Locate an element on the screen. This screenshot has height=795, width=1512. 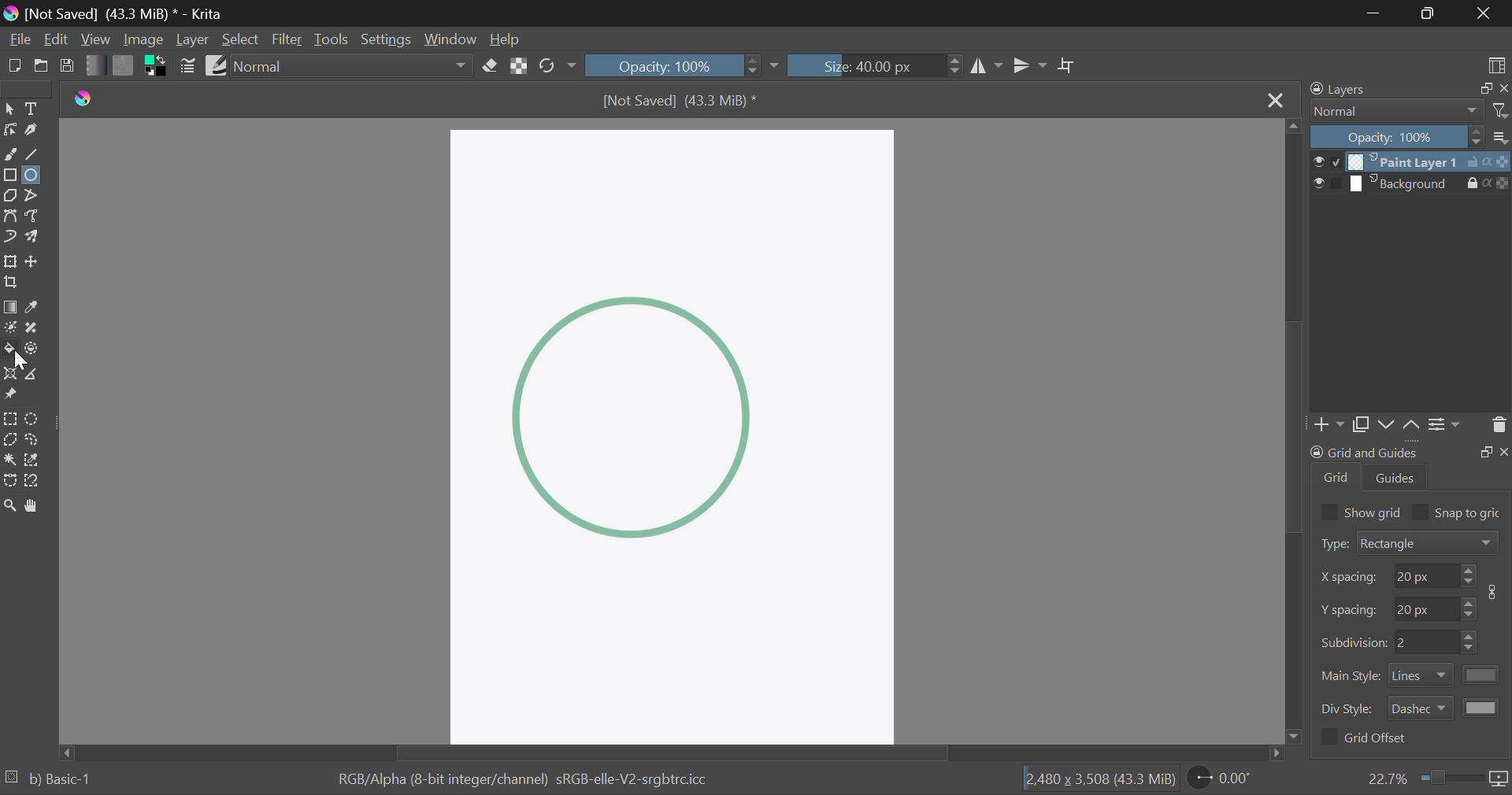
Measurements is located at coordinates (34, 373).